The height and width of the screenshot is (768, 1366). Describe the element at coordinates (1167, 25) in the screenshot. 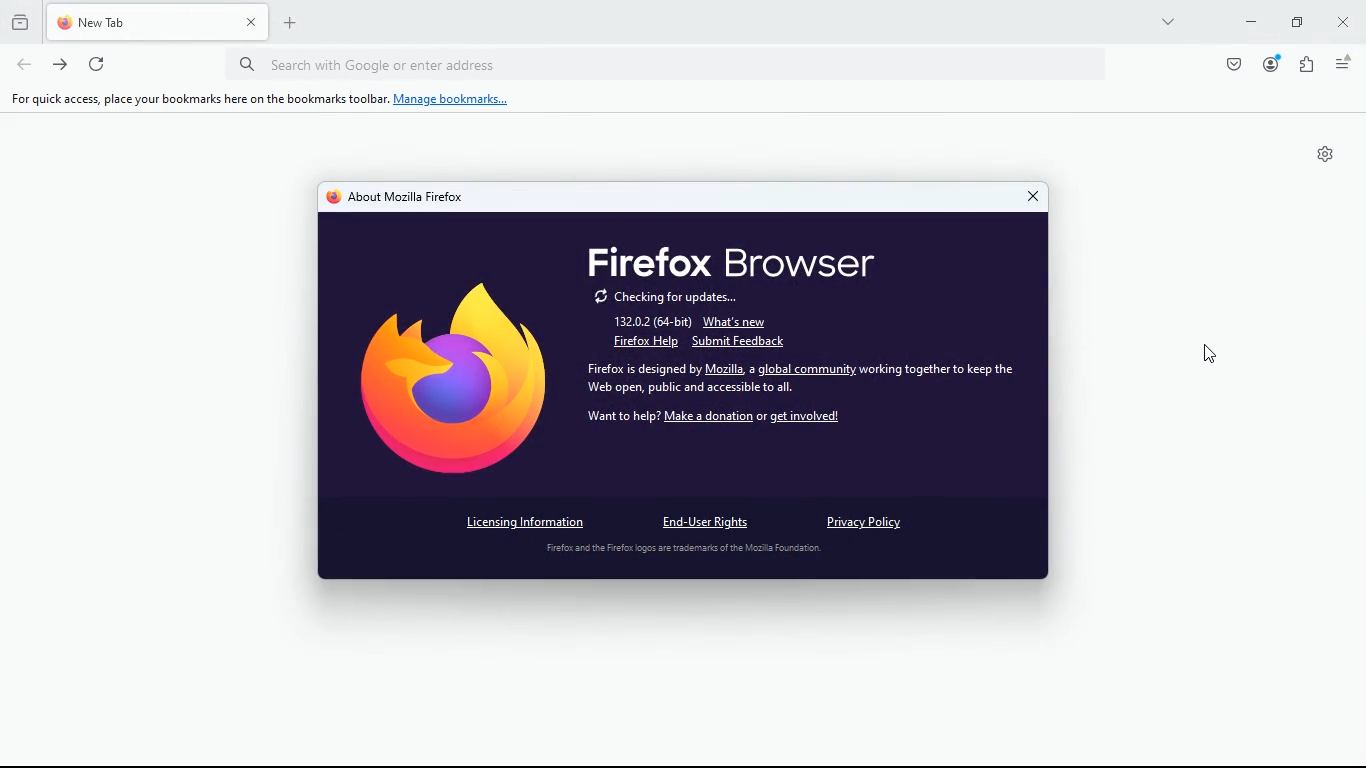

I see `more` at that location.